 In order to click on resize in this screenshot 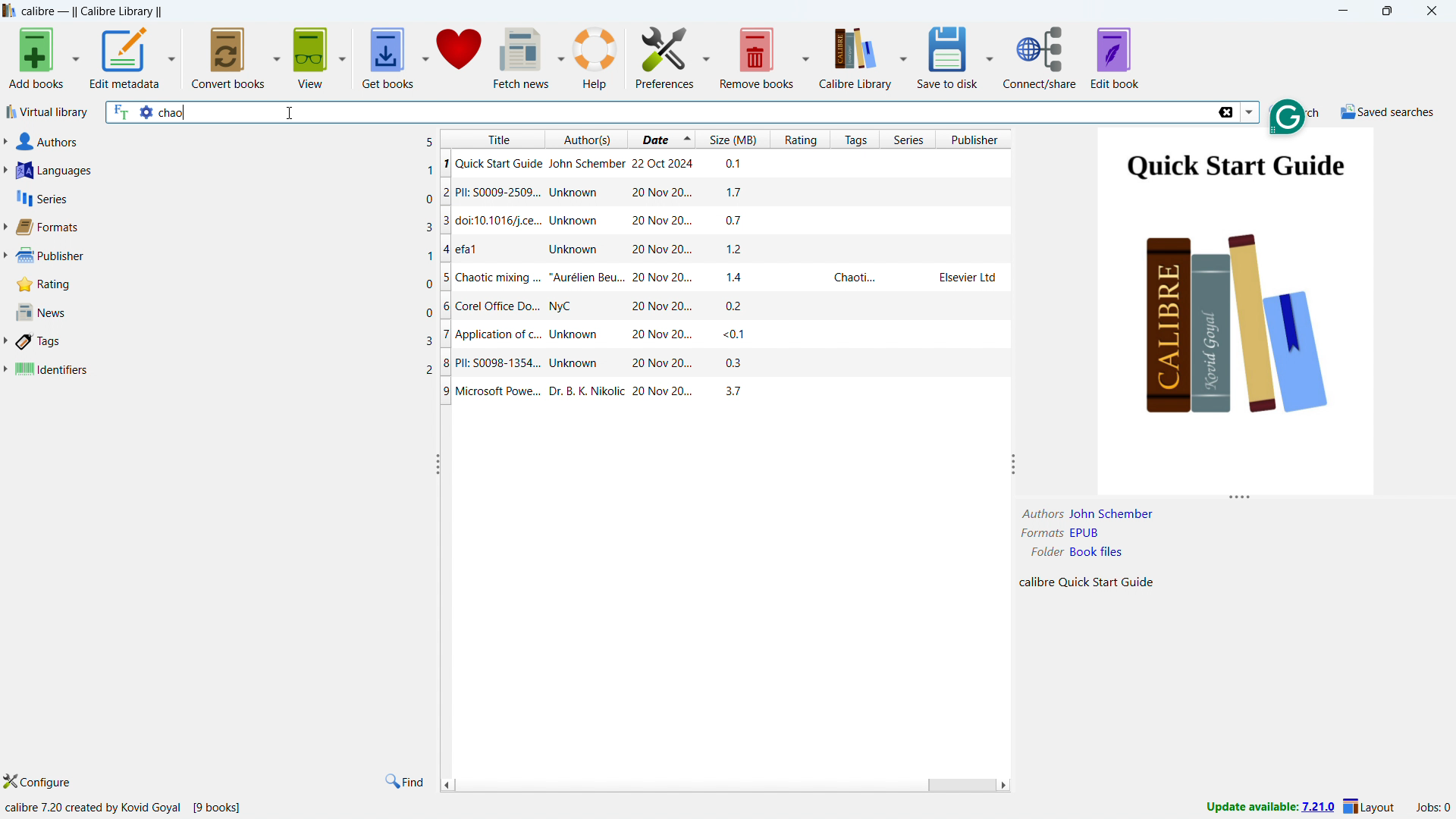, I will do `click(437, 465)`.